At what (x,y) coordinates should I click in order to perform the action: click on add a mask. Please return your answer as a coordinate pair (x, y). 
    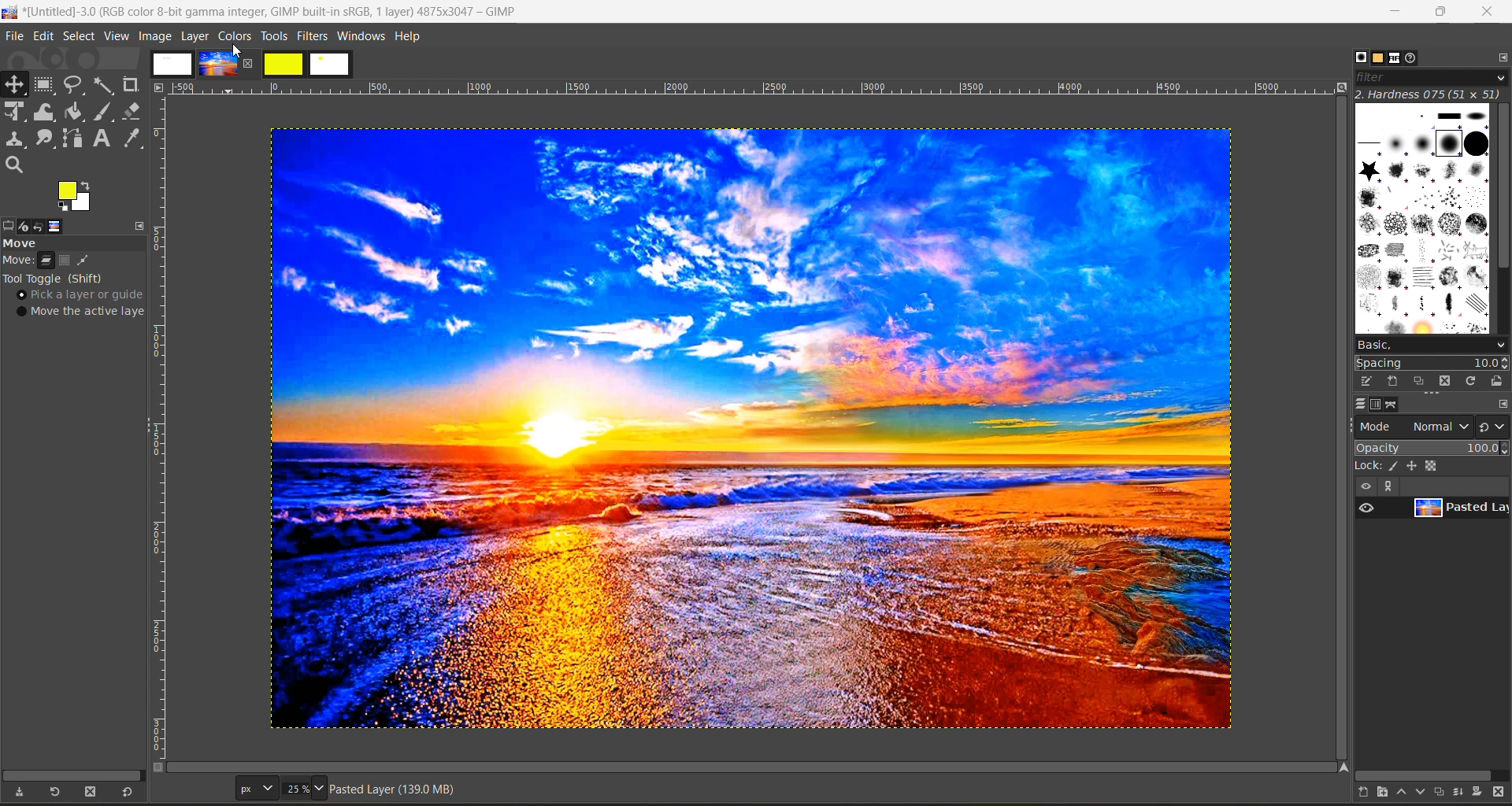
    Looking at the image, I should click on (1482, 794).